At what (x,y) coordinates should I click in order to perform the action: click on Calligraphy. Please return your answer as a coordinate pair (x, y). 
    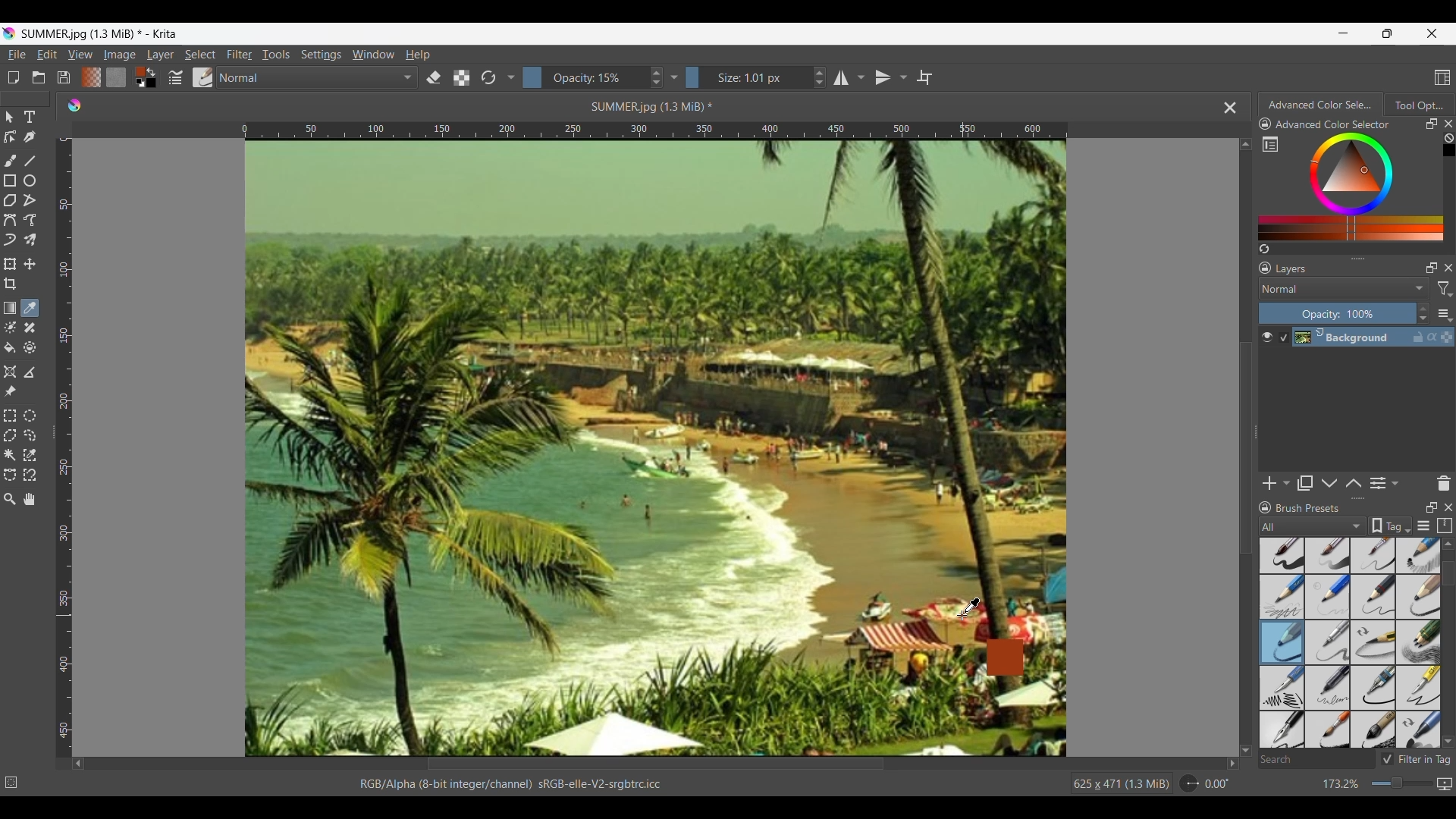
    Looking at the image, I should click on (31, 137).